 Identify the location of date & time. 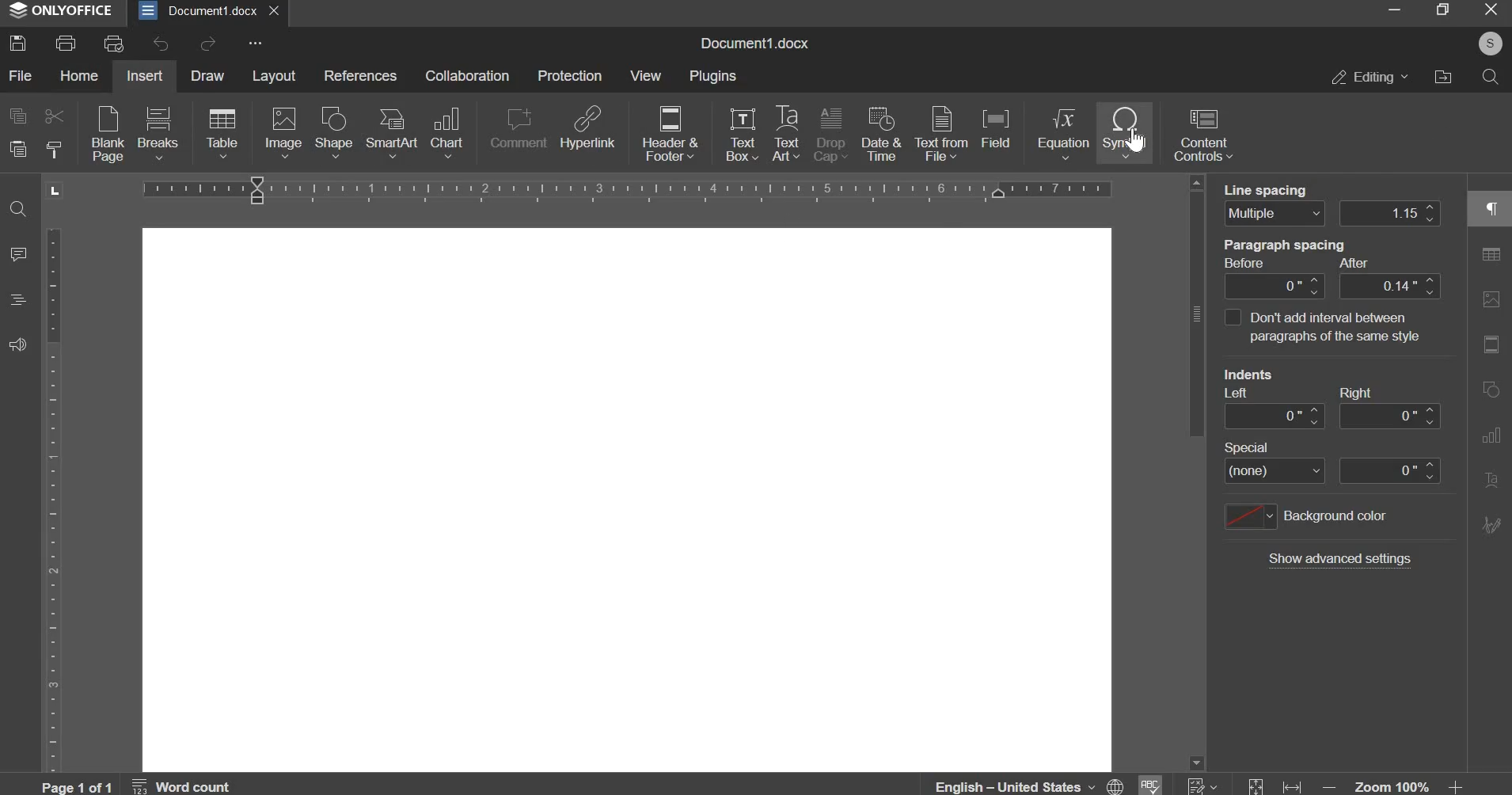
(880, 132).